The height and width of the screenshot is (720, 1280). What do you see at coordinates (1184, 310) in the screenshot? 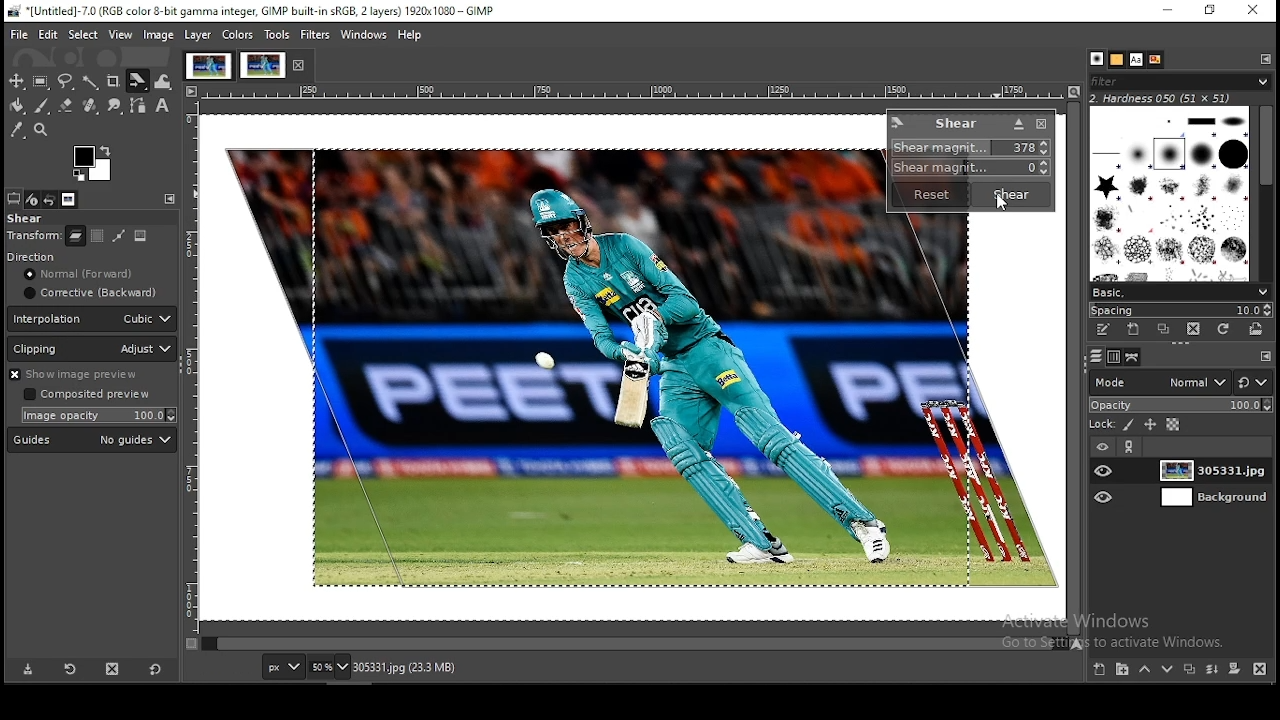
I see `spacing` at bounding box center [1184, 310].